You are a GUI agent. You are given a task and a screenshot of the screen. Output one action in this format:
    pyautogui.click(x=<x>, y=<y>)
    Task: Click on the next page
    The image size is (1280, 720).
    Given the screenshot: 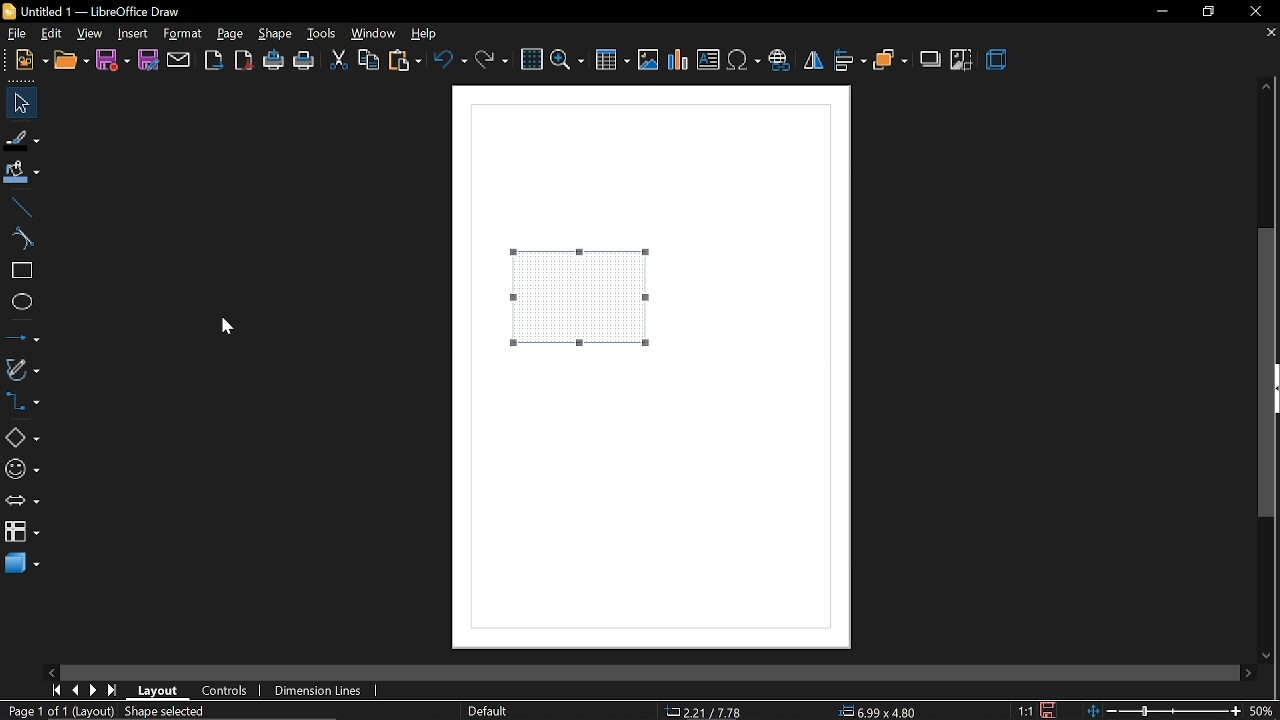 What is the action you would take?
    pyautogui.click(x=94, y=689)
    